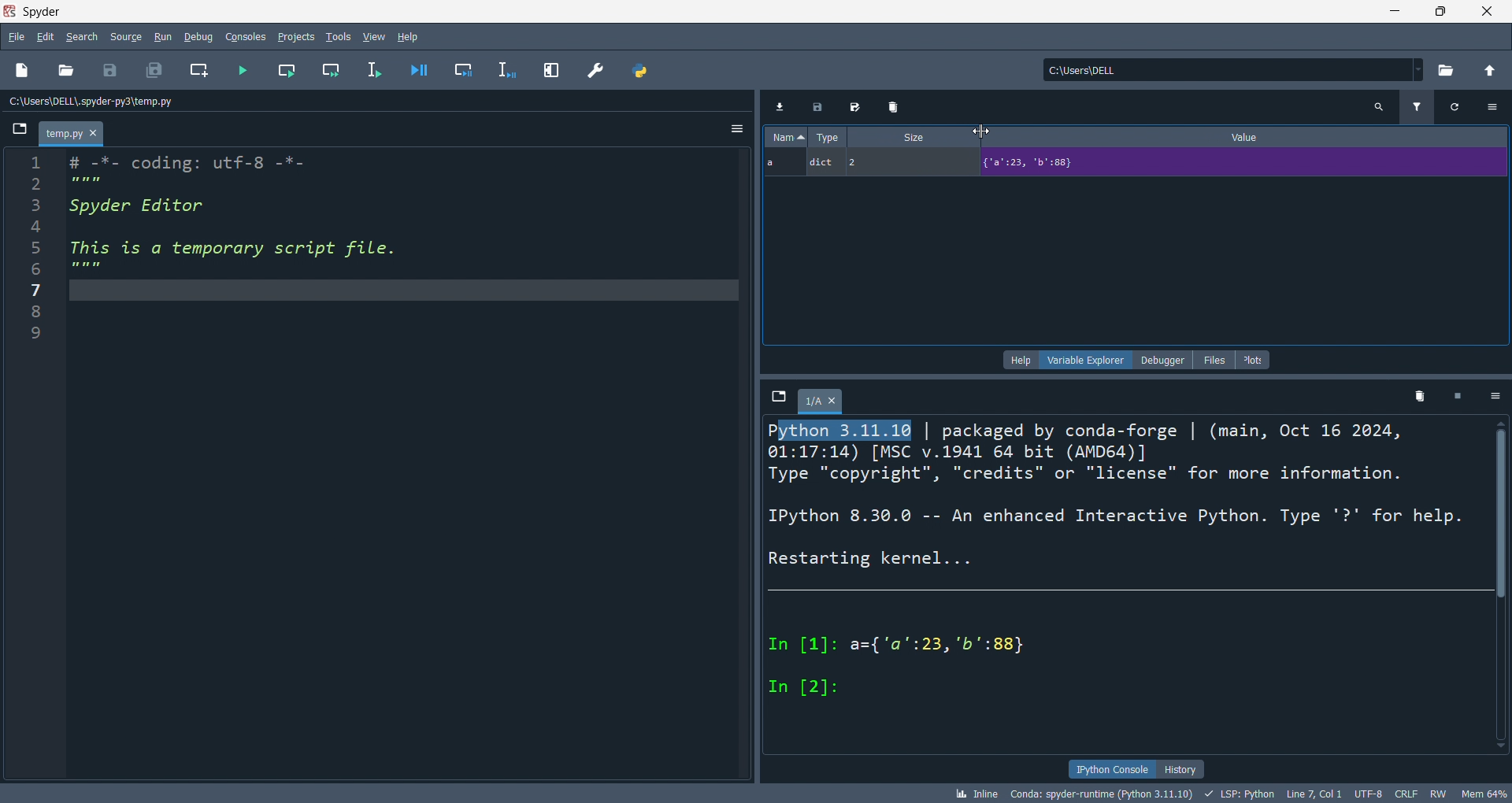 This screenshot has height=803, width=1512. I want to click on save, so click(106, 67).